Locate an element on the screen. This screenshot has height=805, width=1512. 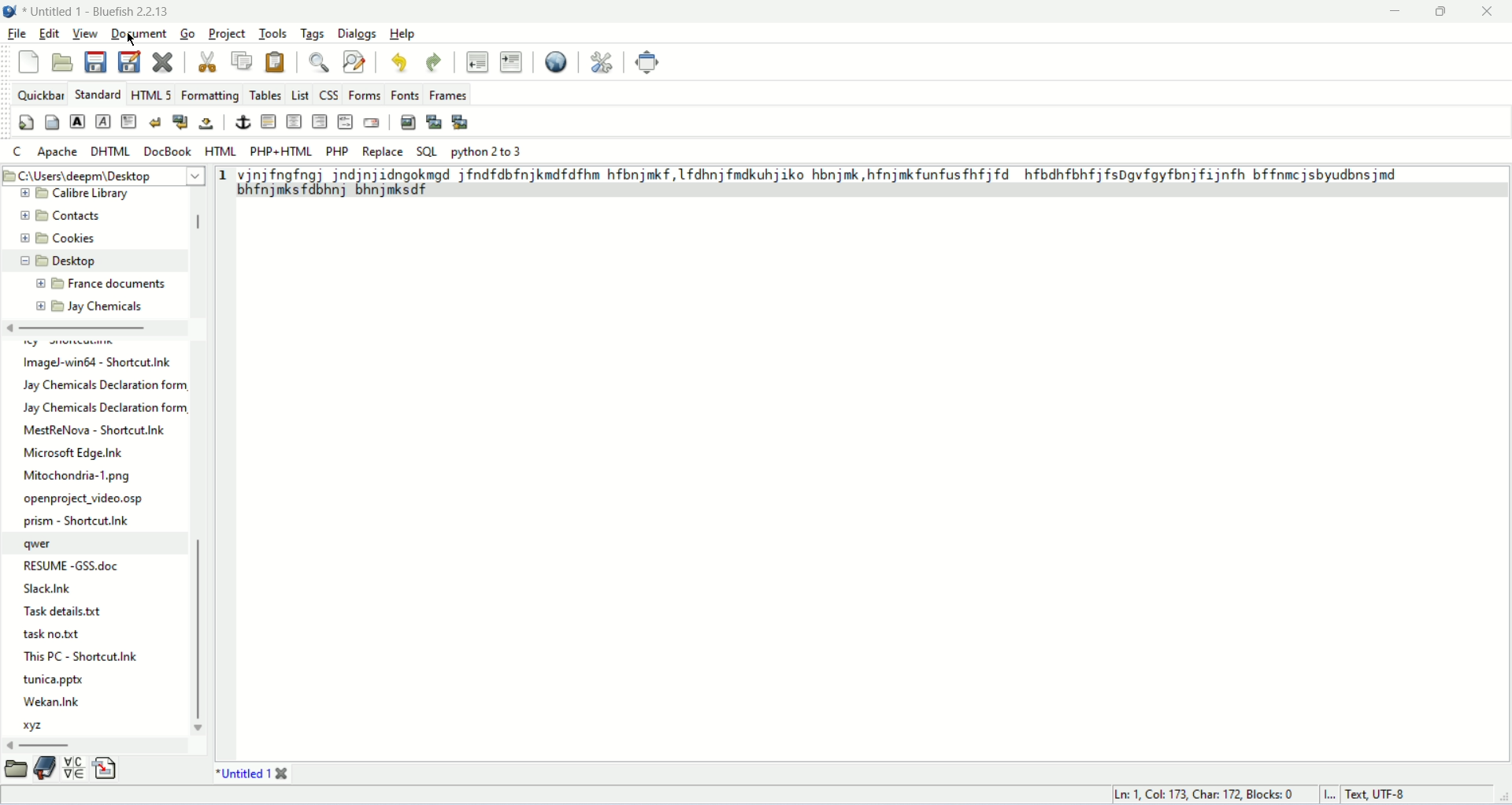
strong is located at coordinates (78, 121).